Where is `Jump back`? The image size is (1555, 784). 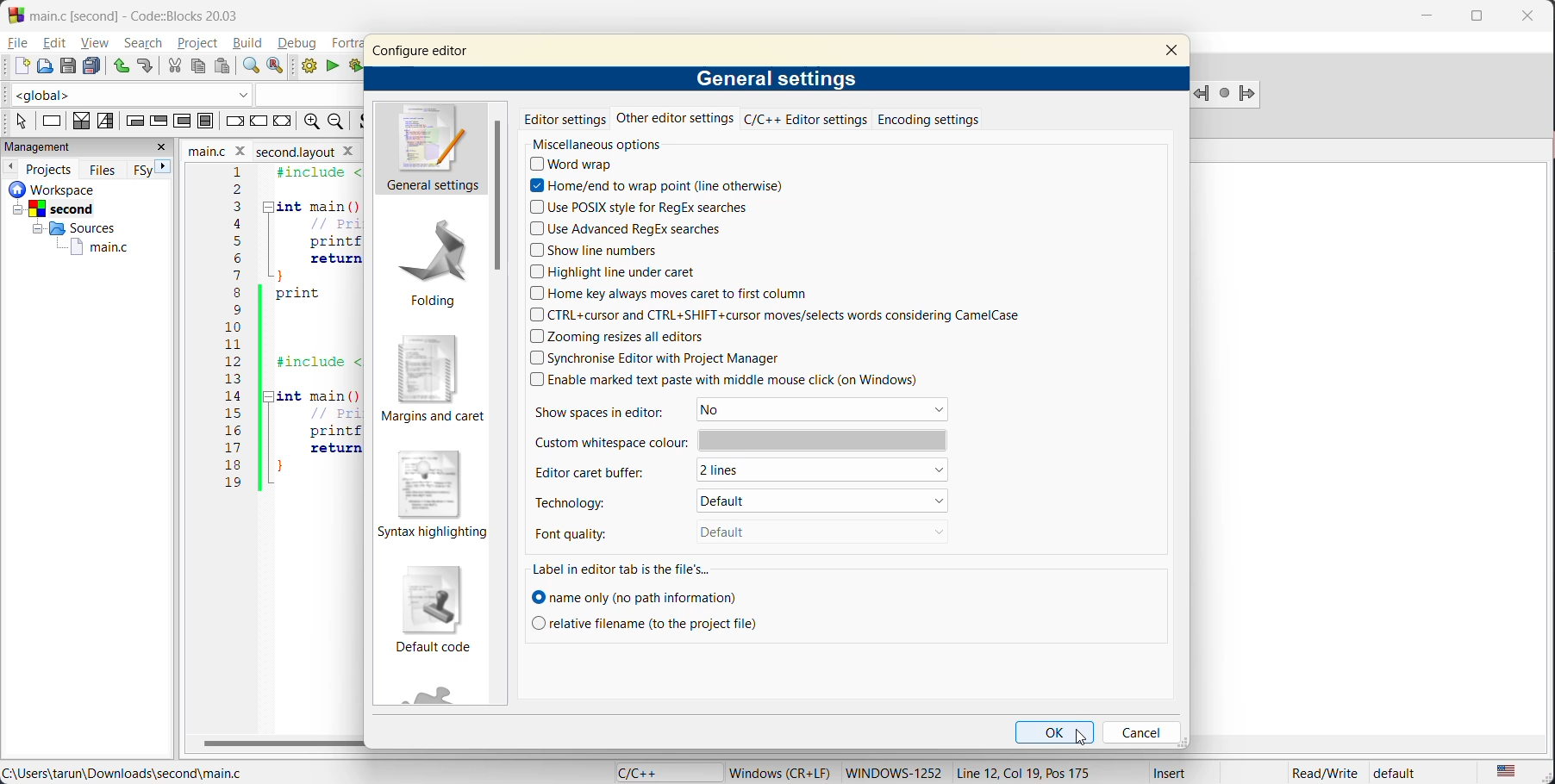
Jump back is located at coordinates (1199, 95).